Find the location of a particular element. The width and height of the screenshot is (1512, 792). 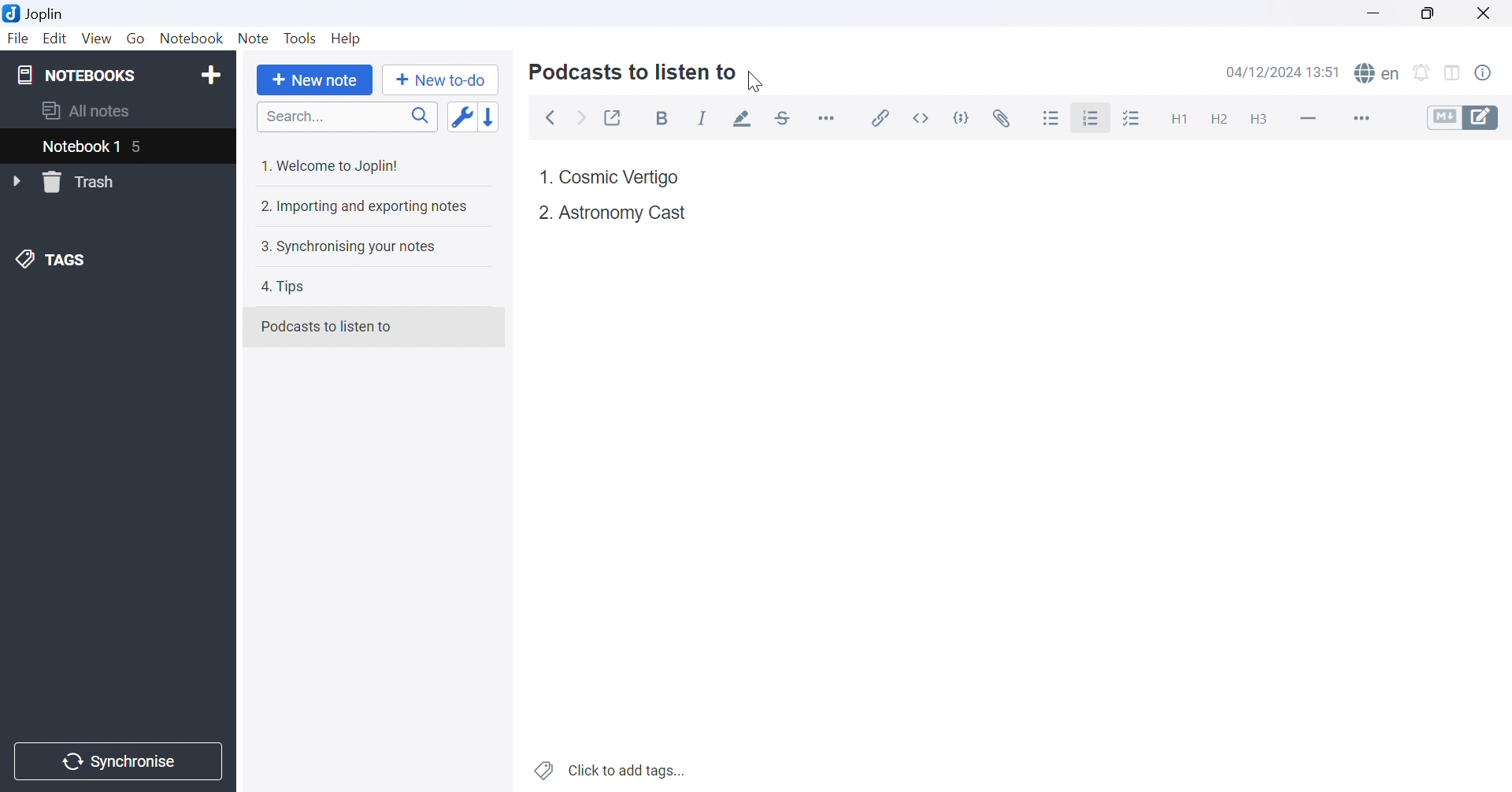

2. Importing and exporting notes is located at coordinates (365, 208).